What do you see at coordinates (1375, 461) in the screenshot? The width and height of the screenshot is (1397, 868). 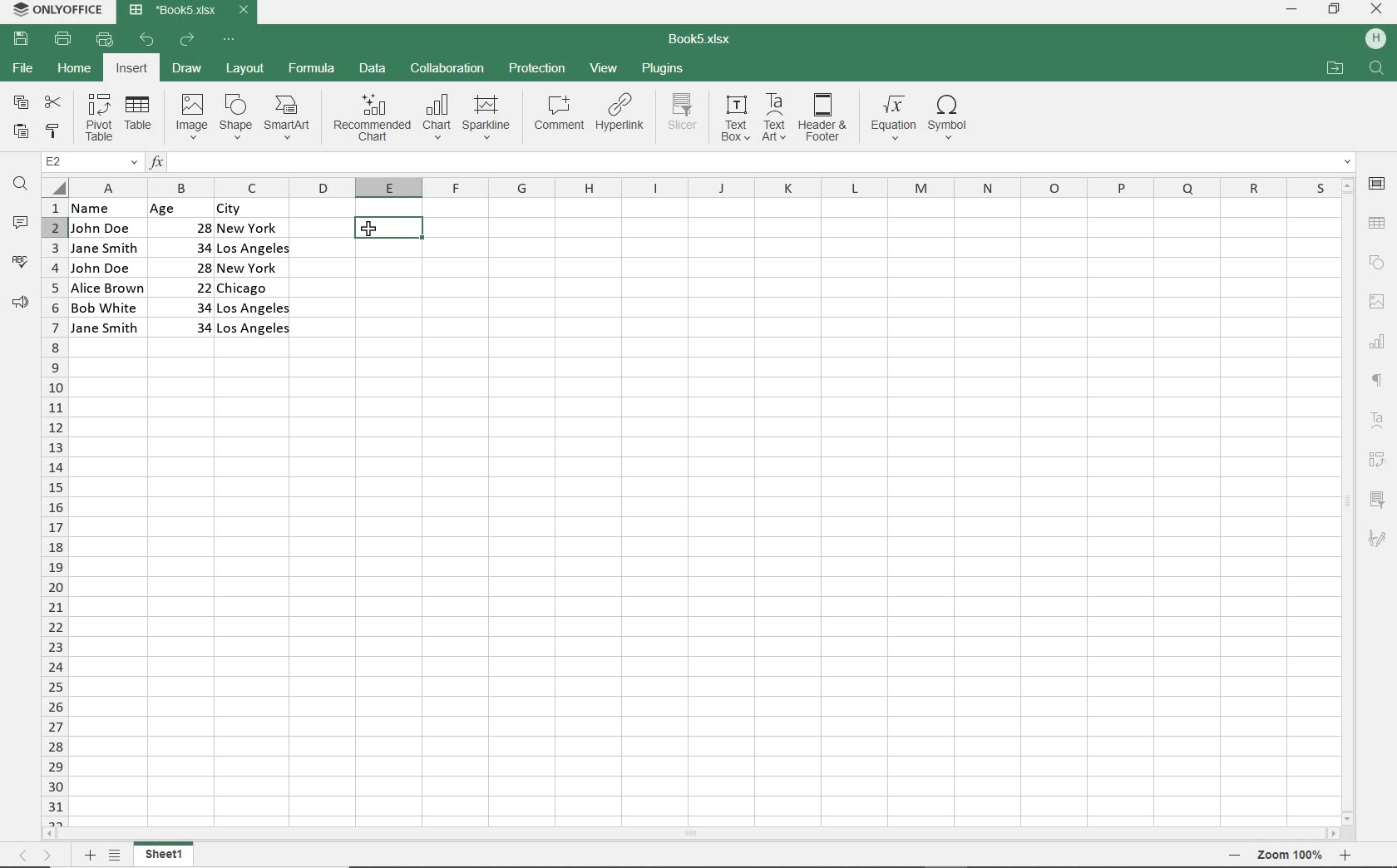 I see `PIVOT TABLE` at bounding box center [1375, 461].